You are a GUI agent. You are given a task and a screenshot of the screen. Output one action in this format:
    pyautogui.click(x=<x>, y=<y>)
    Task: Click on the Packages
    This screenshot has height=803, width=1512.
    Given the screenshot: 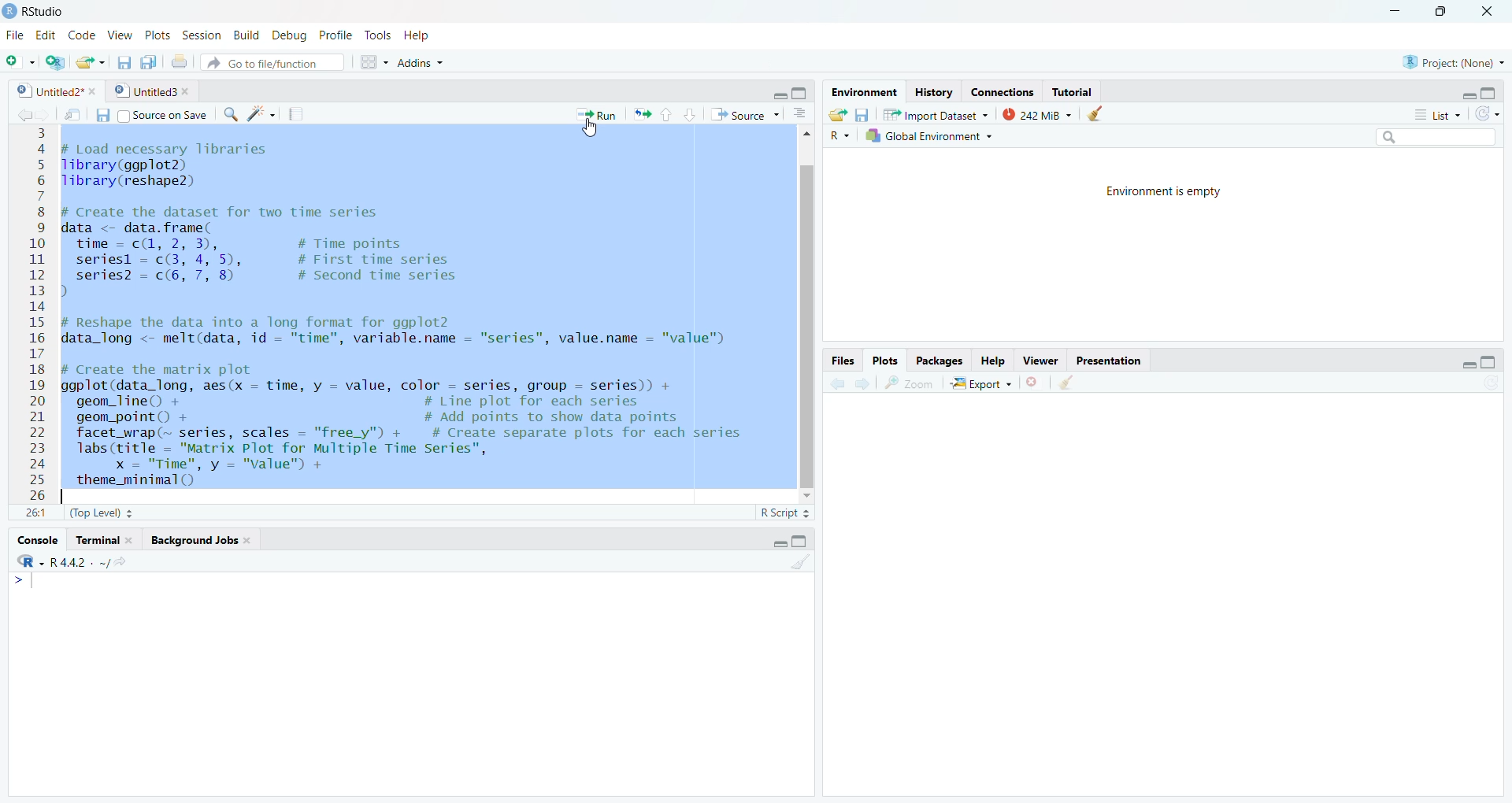 What is the action you would take?
    pyautogui.click(x=938, y=361)
    